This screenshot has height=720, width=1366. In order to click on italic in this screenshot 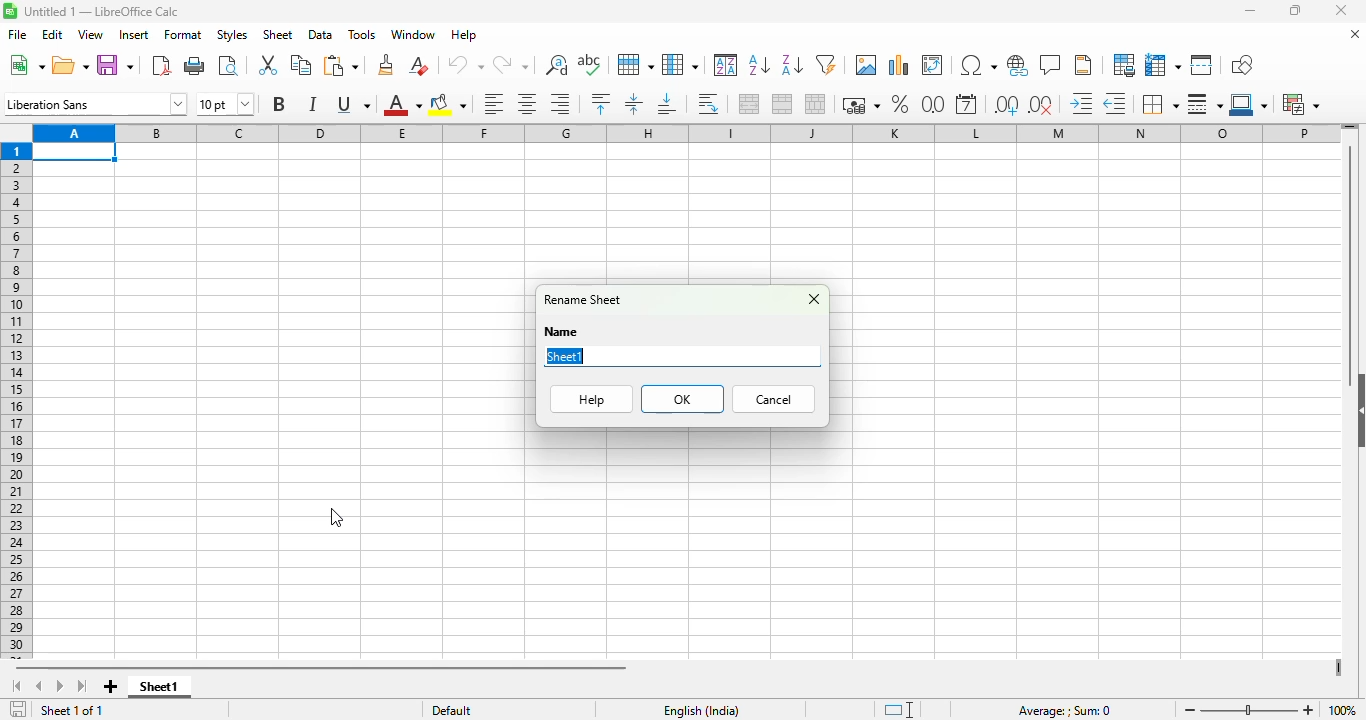, I will do `click(312, 104)`.